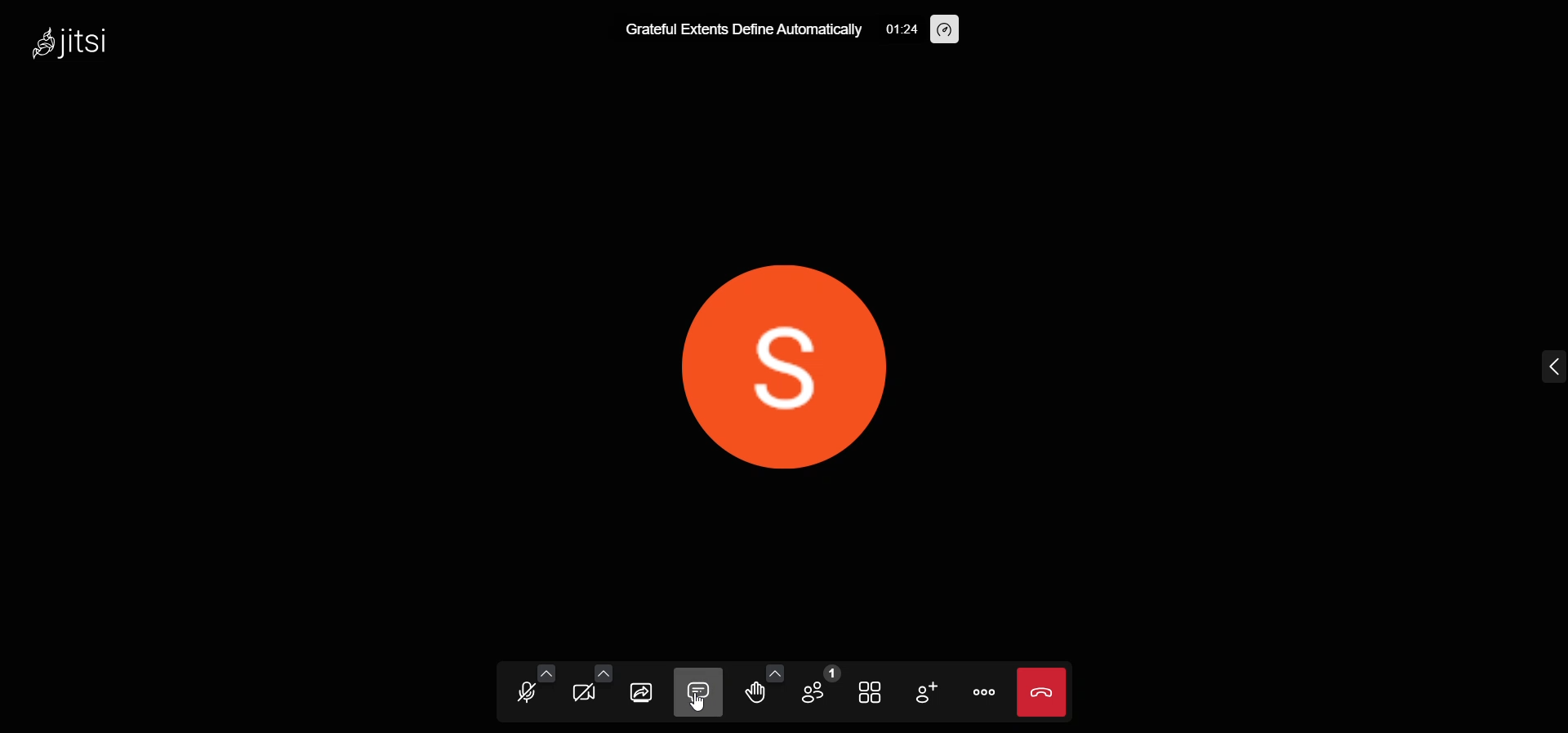  I want to click on invite people, so click(923, 693).